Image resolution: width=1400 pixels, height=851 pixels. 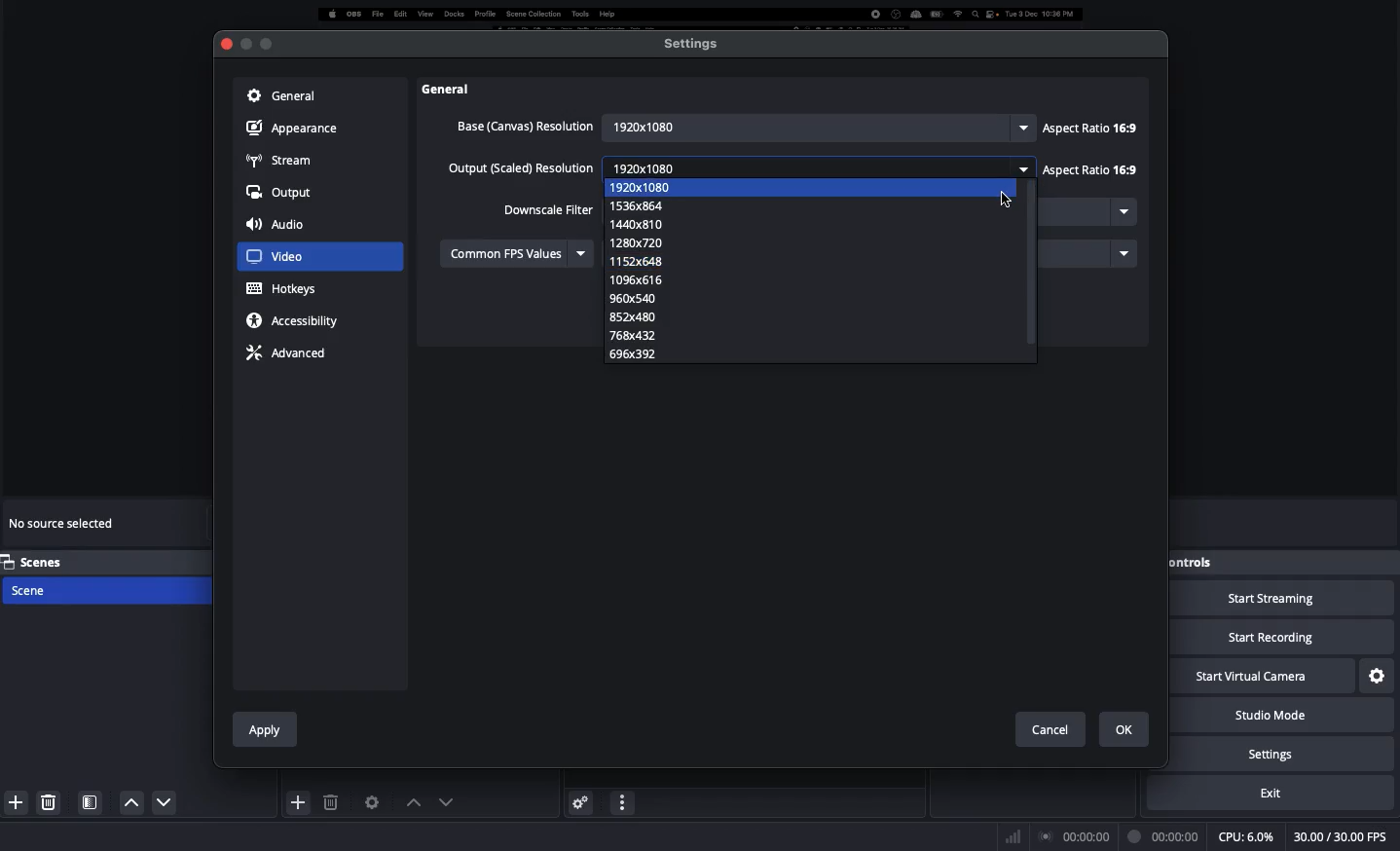 What do you see at coordinates (370, 802) in the screenshot?
I see `Source preferences` at bounding box center [370, 802].